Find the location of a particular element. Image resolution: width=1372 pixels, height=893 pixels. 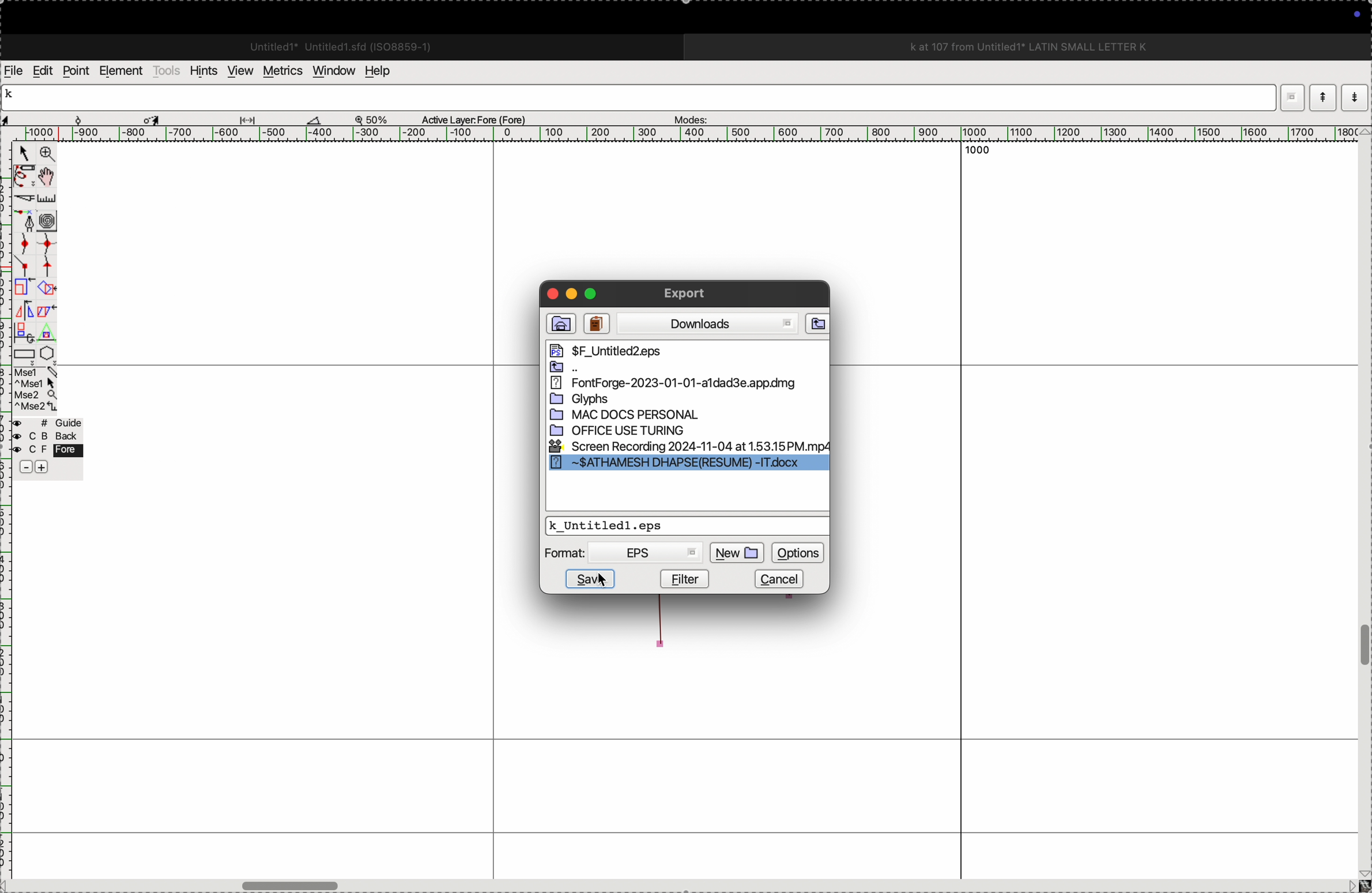

maximize is located at coordinates (590, 292).